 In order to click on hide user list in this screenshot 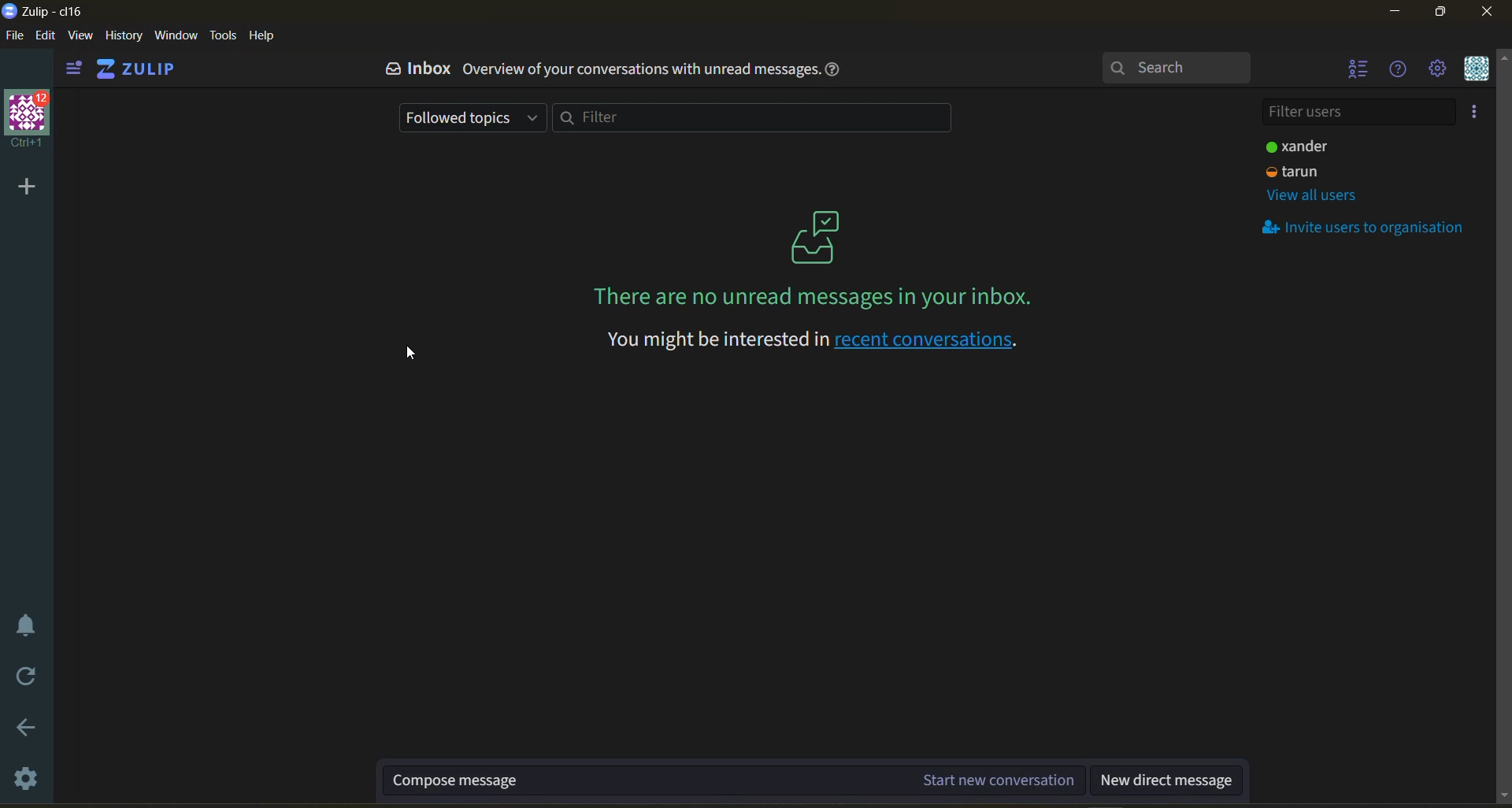, I will do `click(1363, 72)`.